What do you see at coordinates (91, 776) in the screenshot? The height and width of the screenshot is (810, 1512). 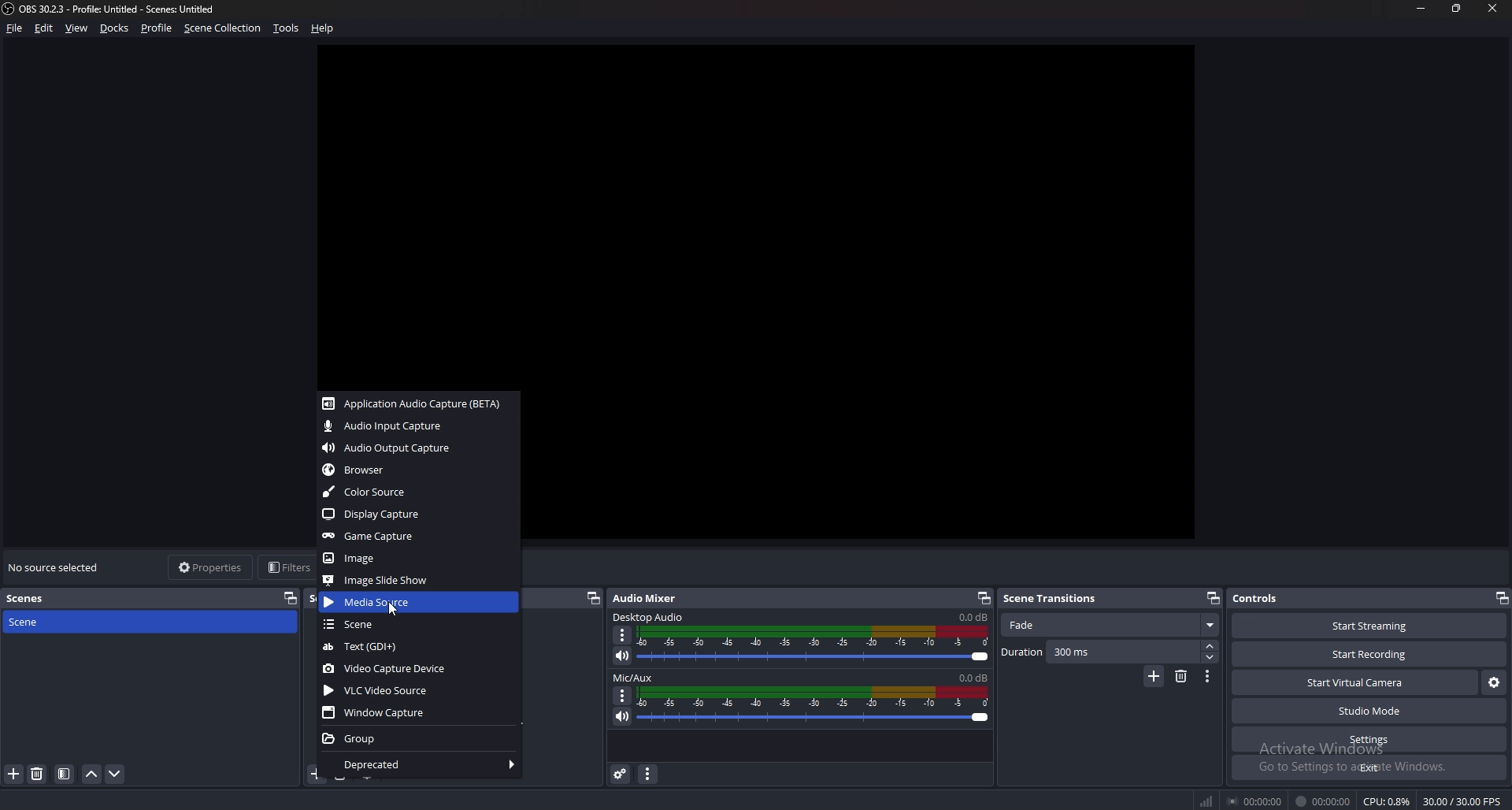 I see `Move scene up` at bounding box center [91, 776].